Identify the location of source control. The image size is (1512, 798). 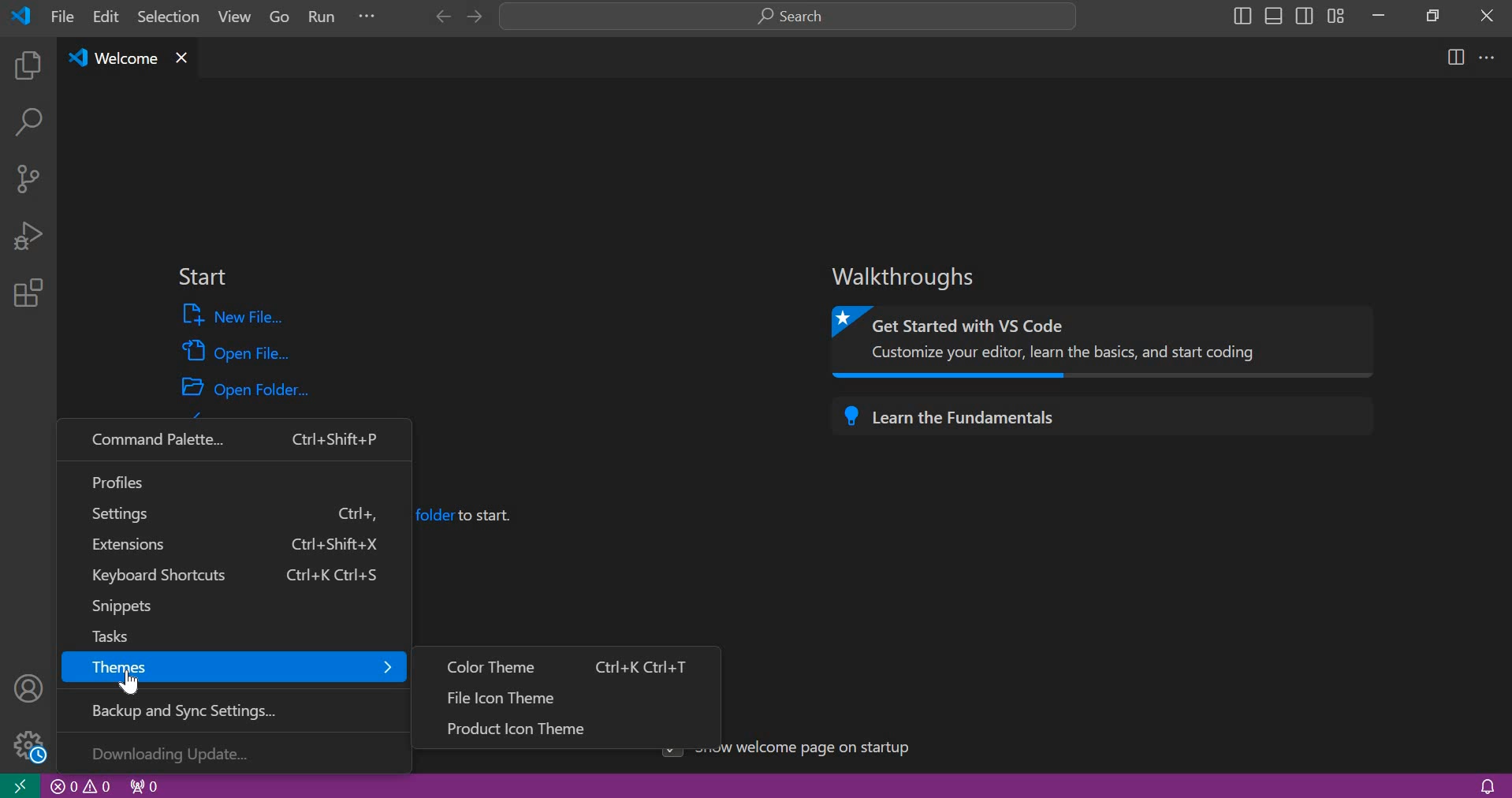
(28, 177).